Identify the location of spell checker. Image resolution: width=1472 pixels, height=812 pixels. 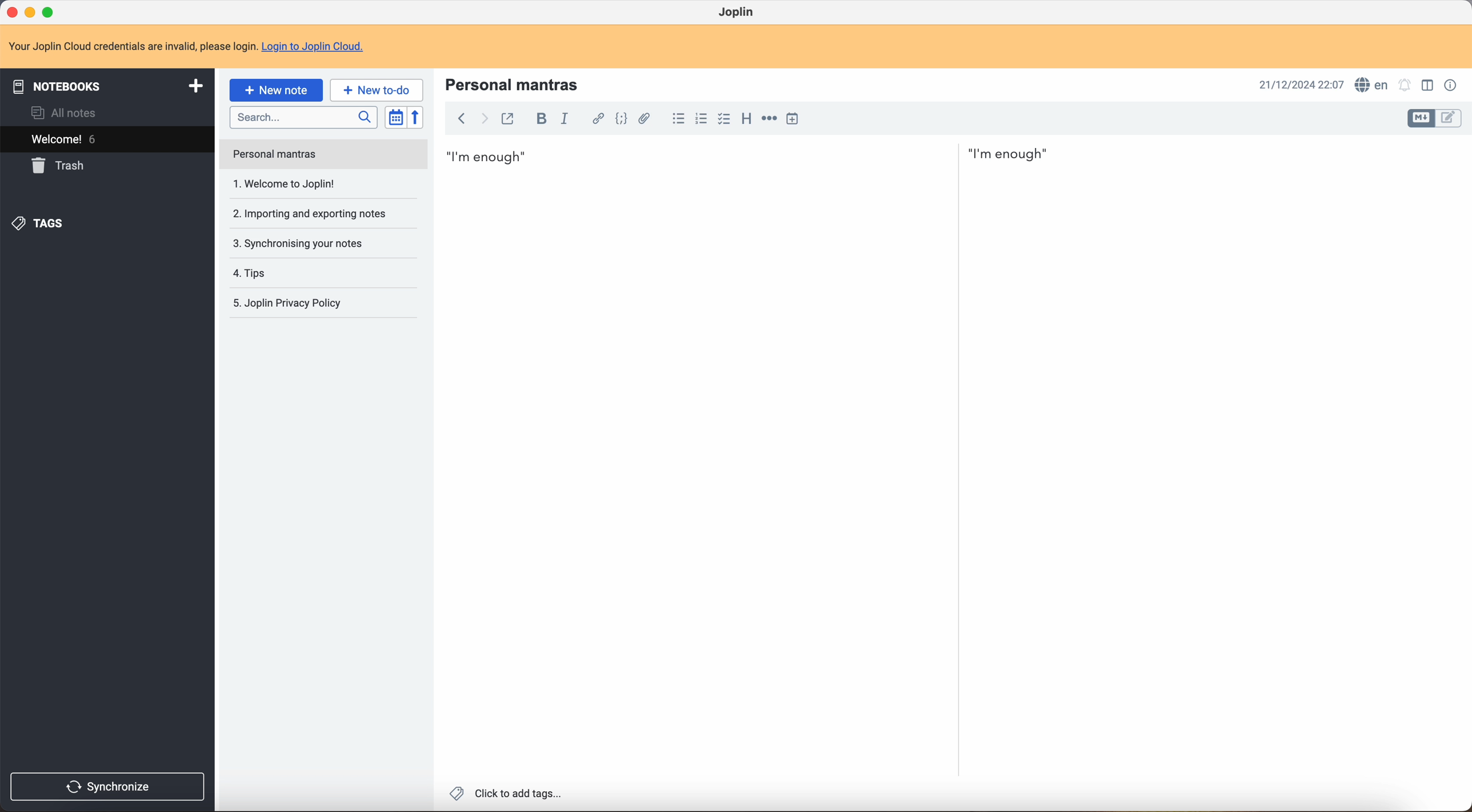
(1373, 84).